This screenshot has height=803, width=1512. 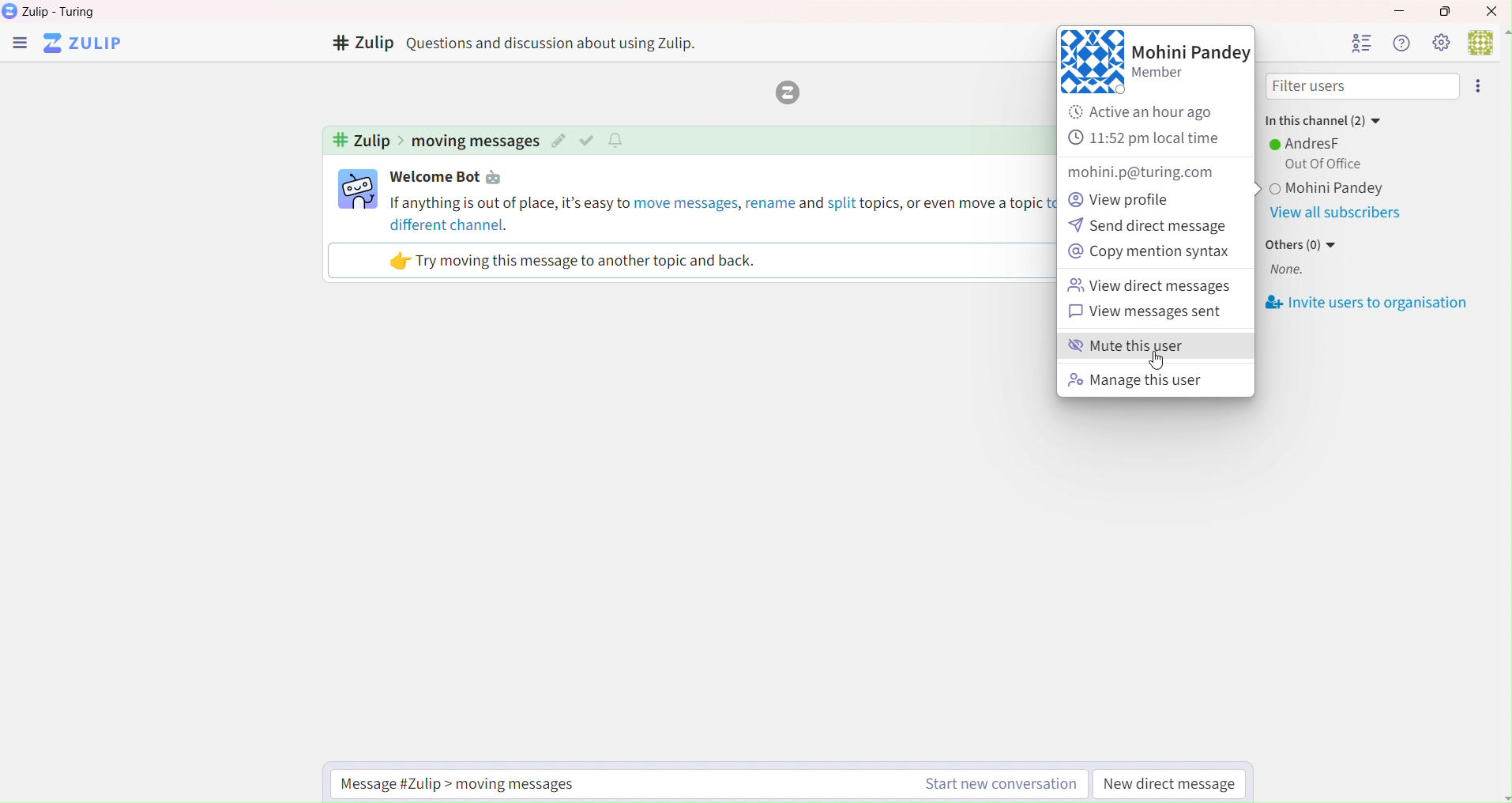 What do you see at coordinates (1370, 190) in the screenshot?
I see `Mohini Pandey ` at bounding box center [1370, 190].